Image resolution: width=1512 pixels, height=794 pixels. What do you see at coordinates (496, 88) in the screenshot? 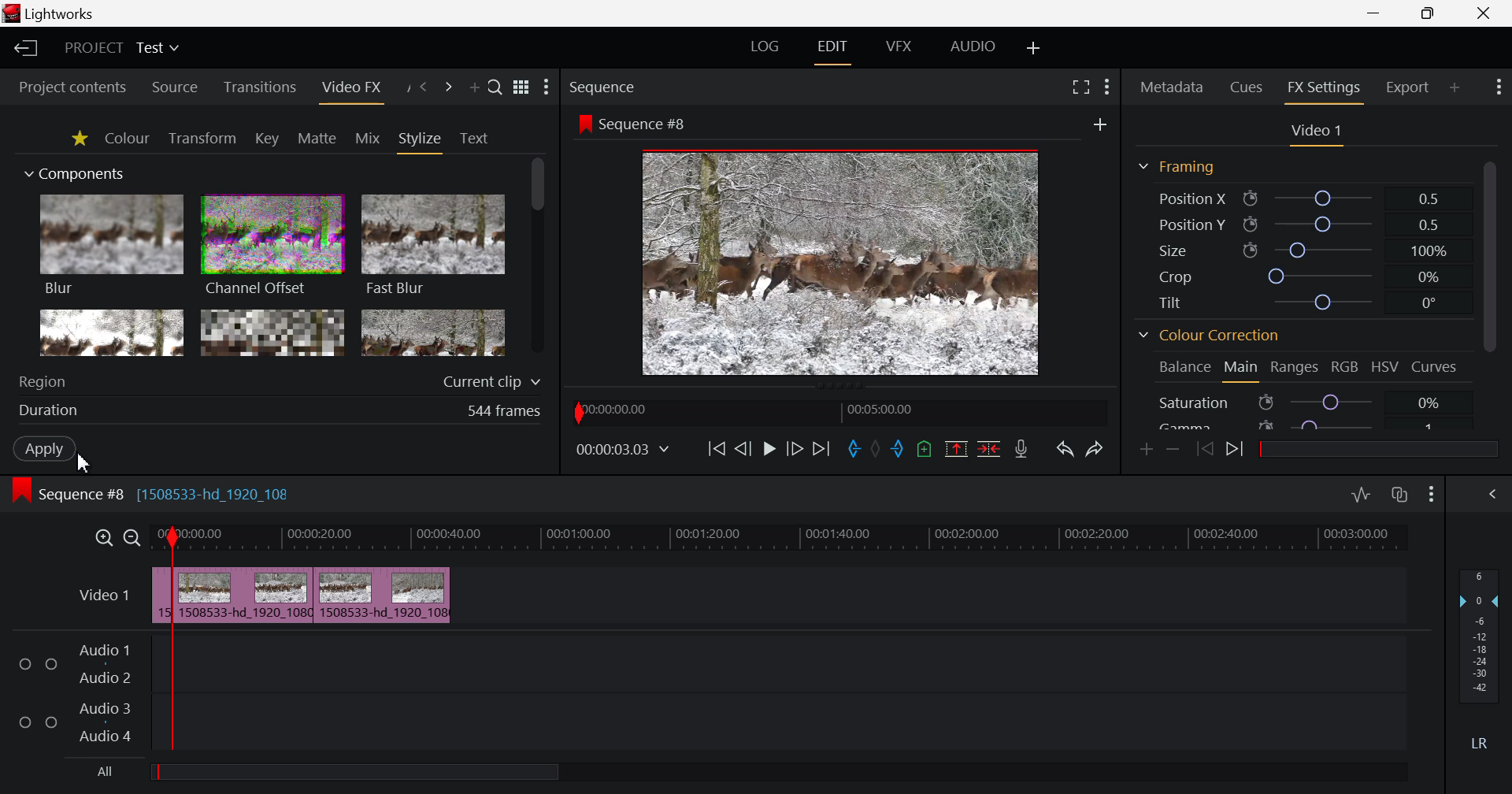
I see `Search` at bounding box center [496, 88].